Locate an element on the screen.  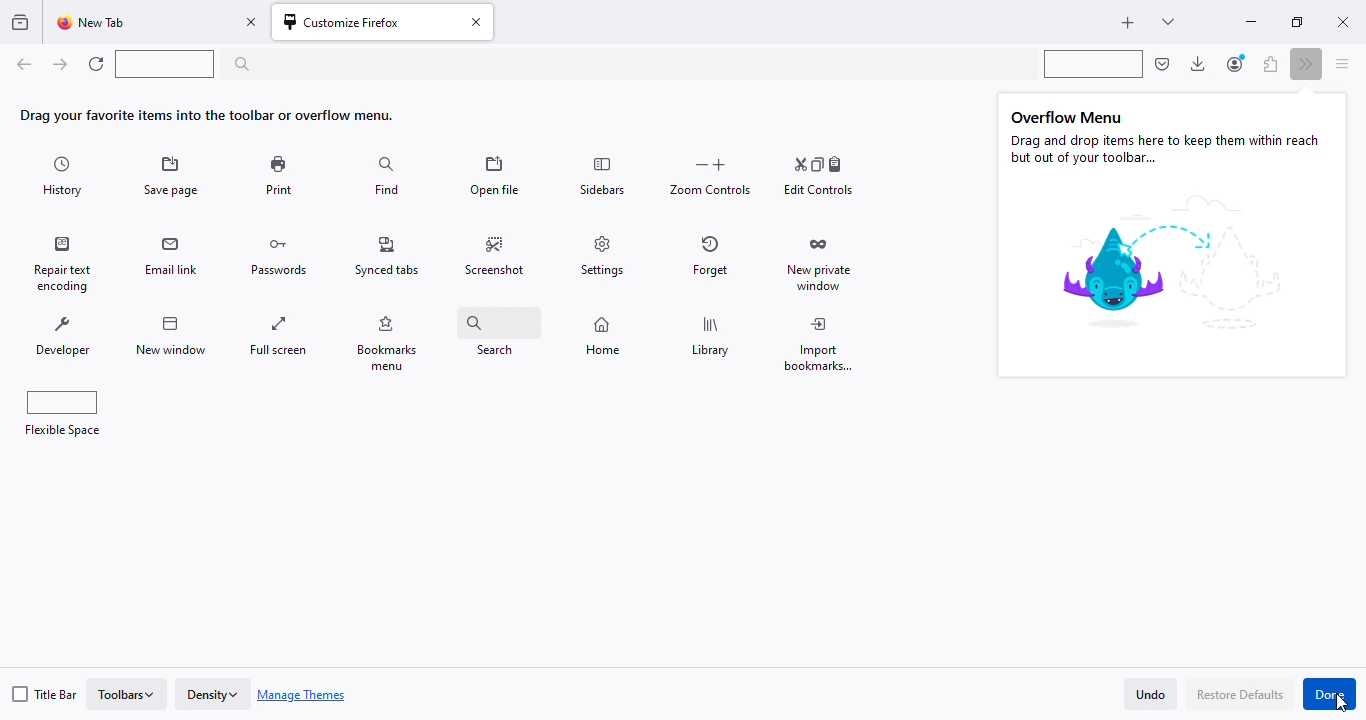
find is located at coordinates (386, 175).